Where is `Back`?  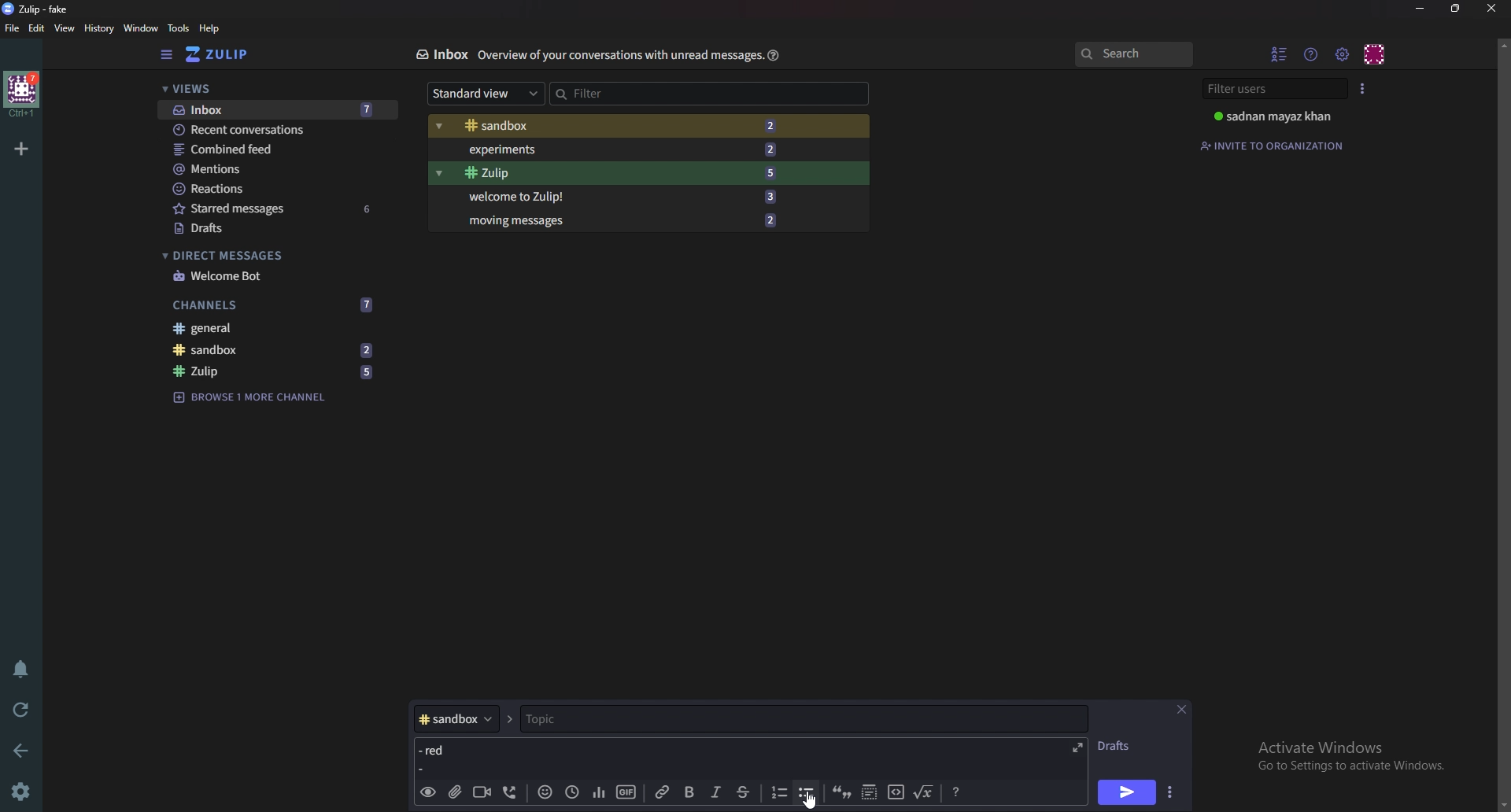
Back is located at coordinates (24, 749).